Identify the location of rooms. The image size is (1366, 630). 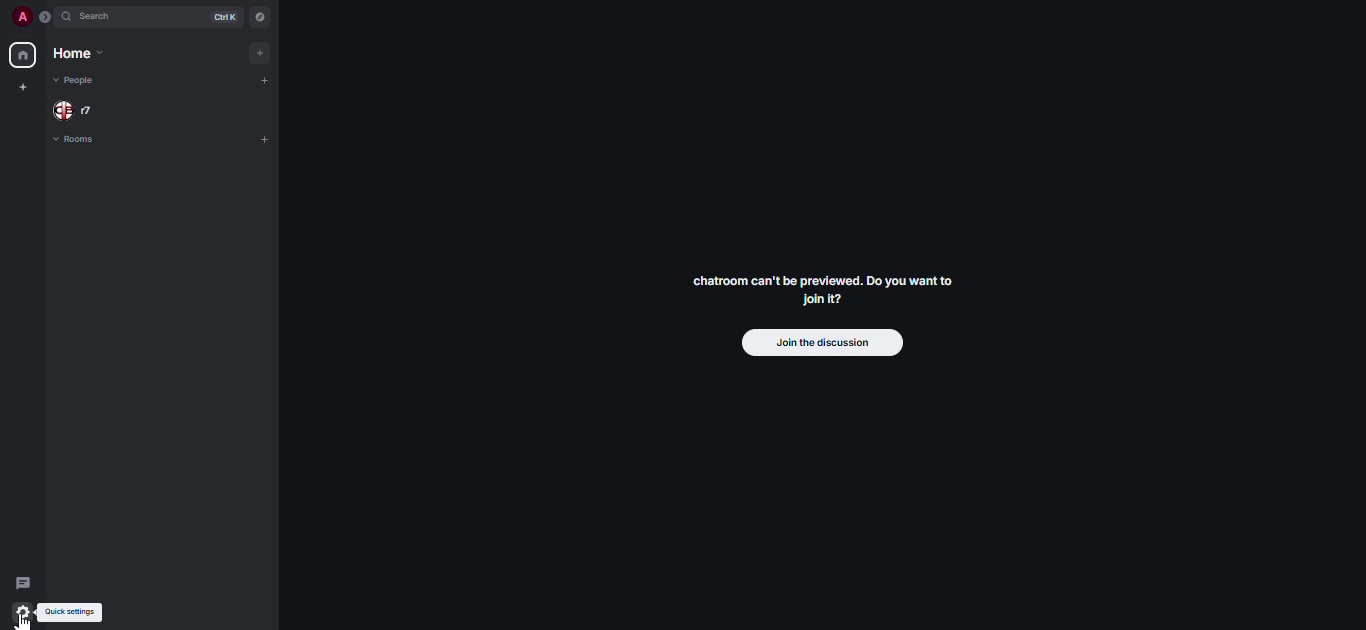
(83, 140).